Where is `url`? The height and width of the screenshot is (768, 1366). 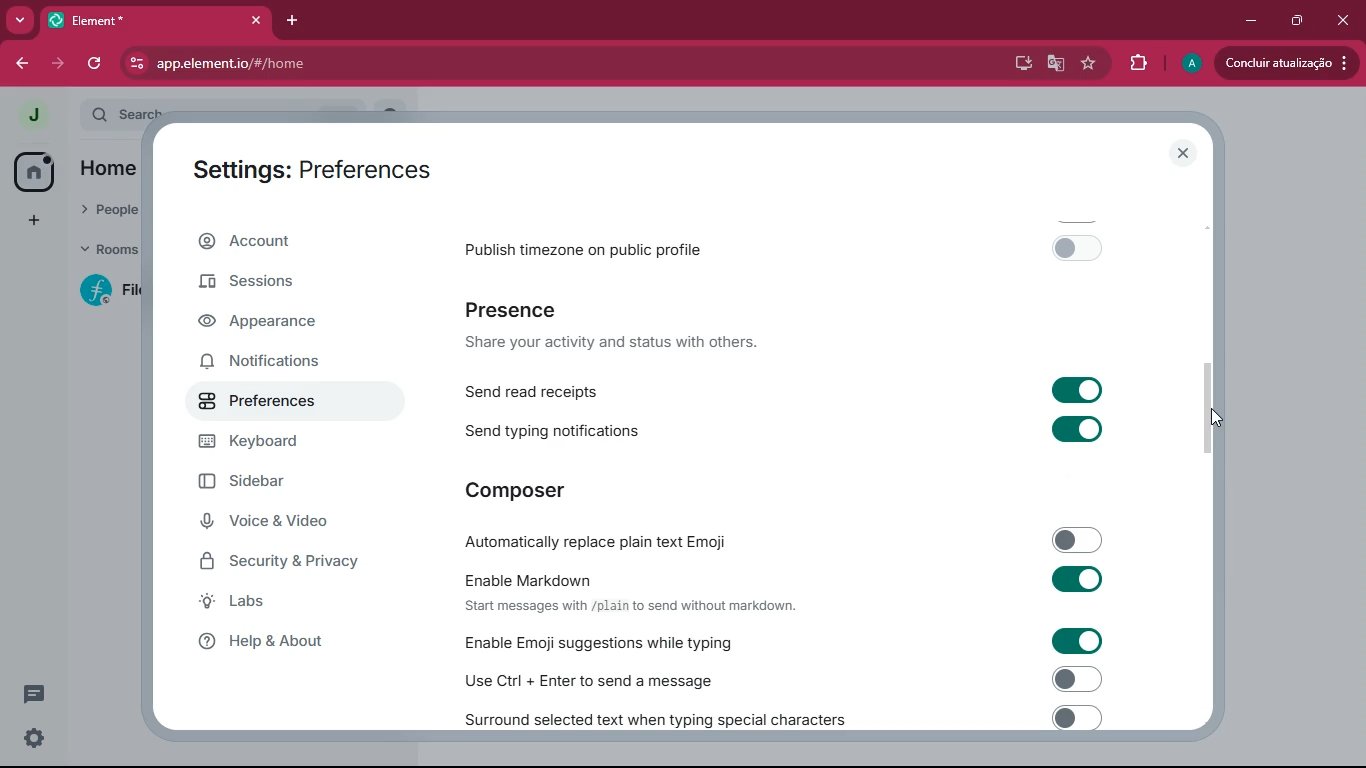 url is located at coordinates (353, 64).